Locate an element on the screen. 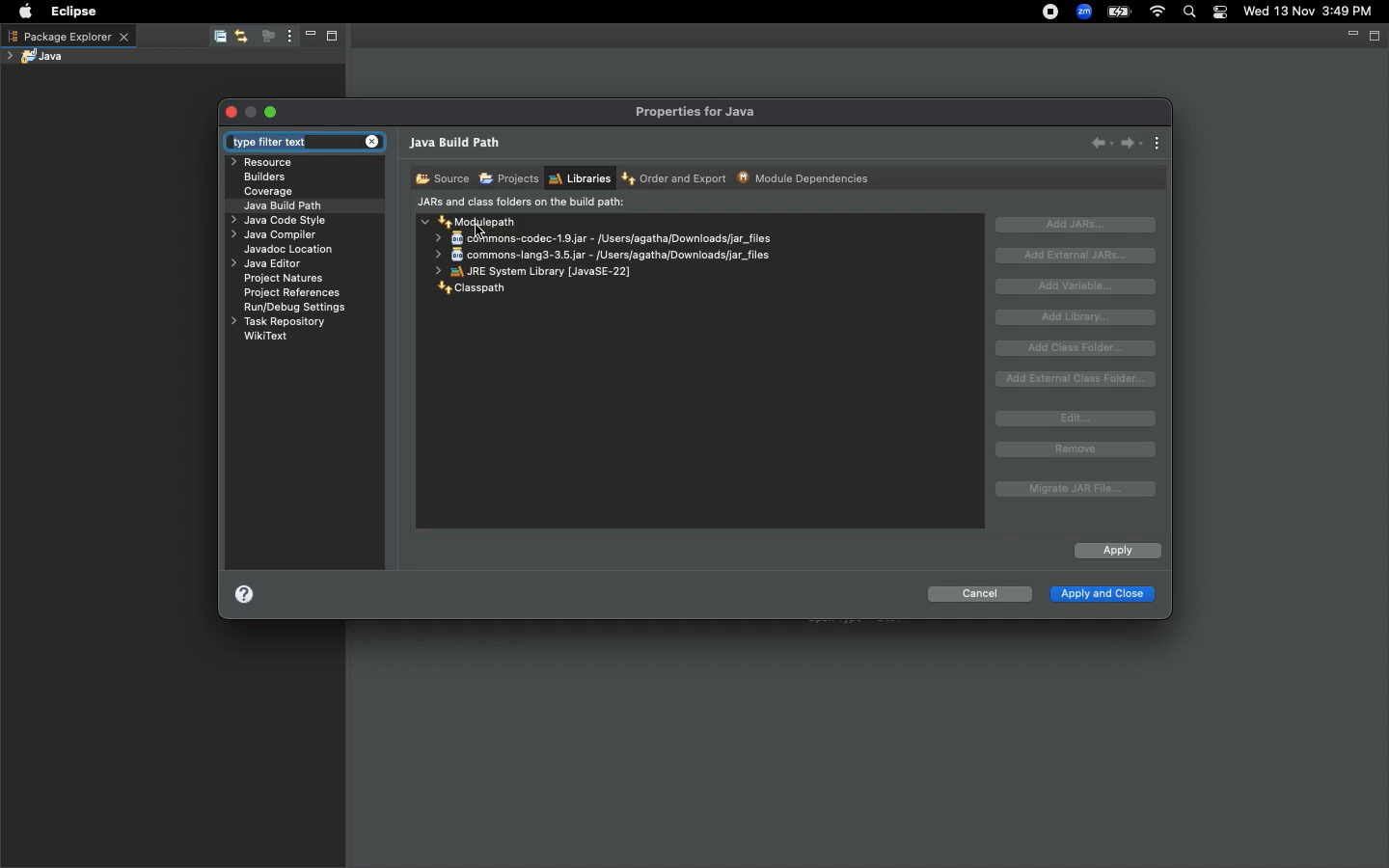 Image resolution: width=1389 pixels, height=868 pixels. View menu is located at coordinates (1158, 145).